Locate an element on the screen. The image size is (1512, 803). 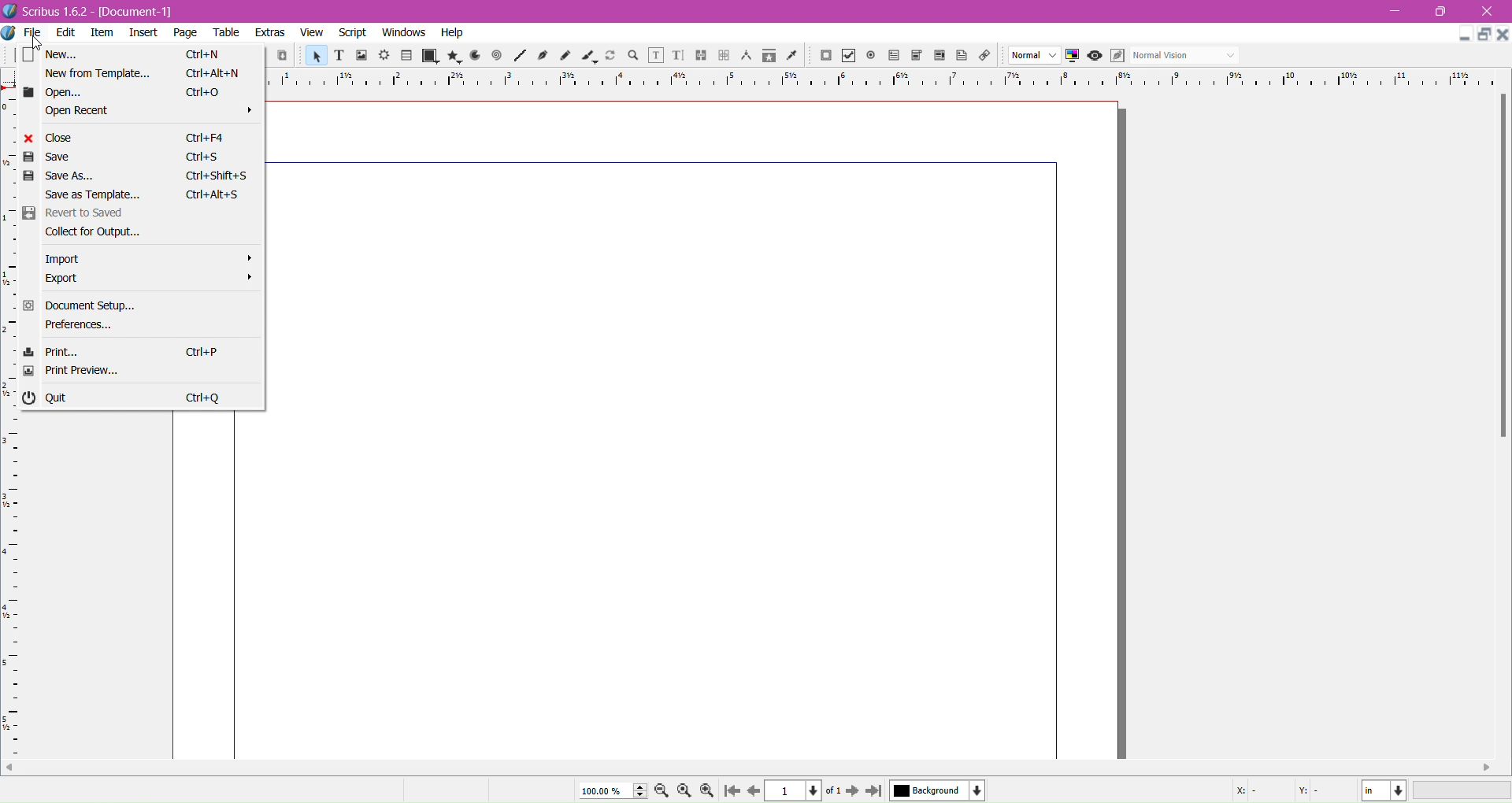
Vertical Scroll Bar is located at coordinates (1502, 272).